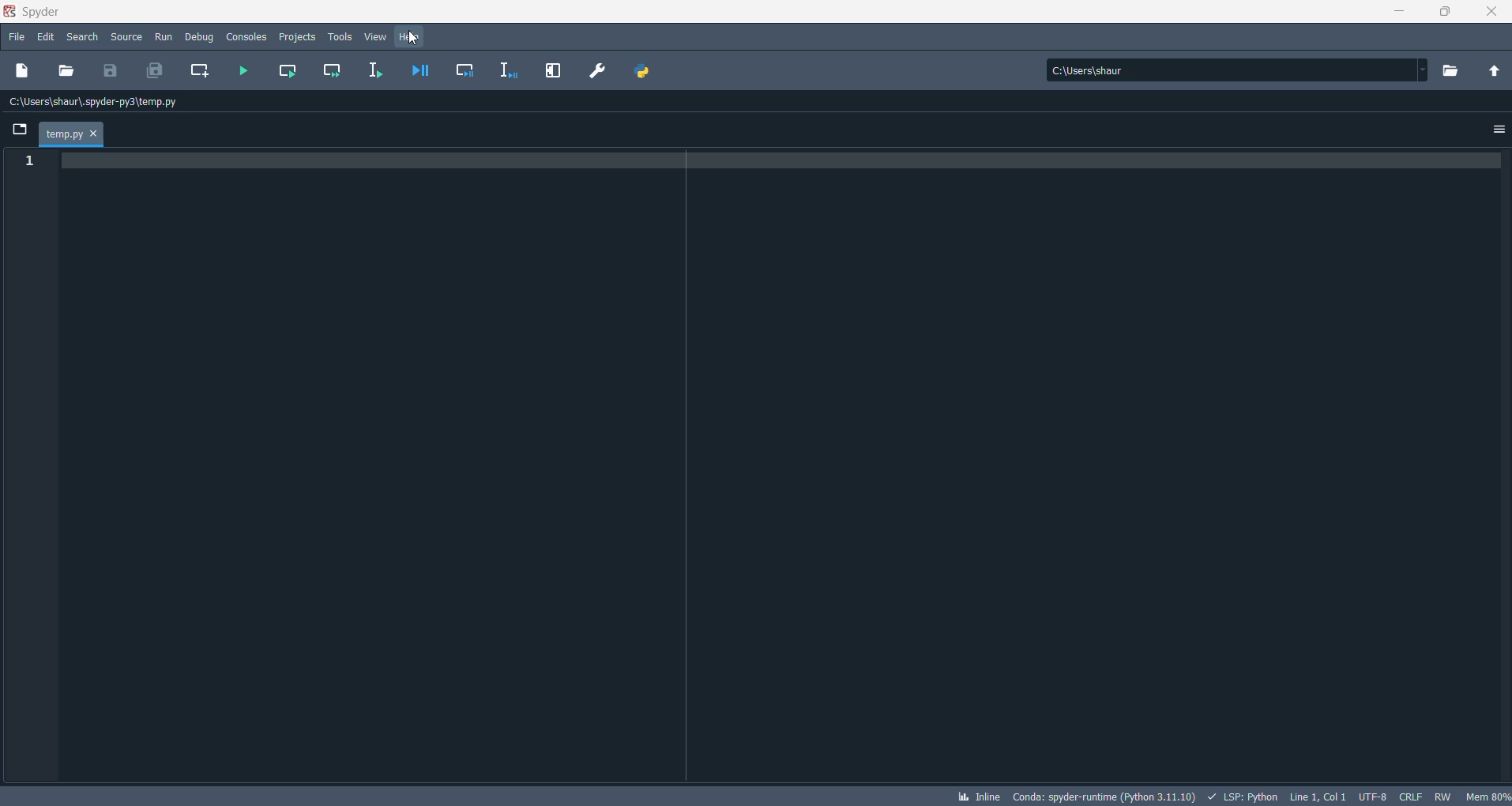 This screenshot has width=1512, height=806. I want to click on run selection , so click(377, 71).